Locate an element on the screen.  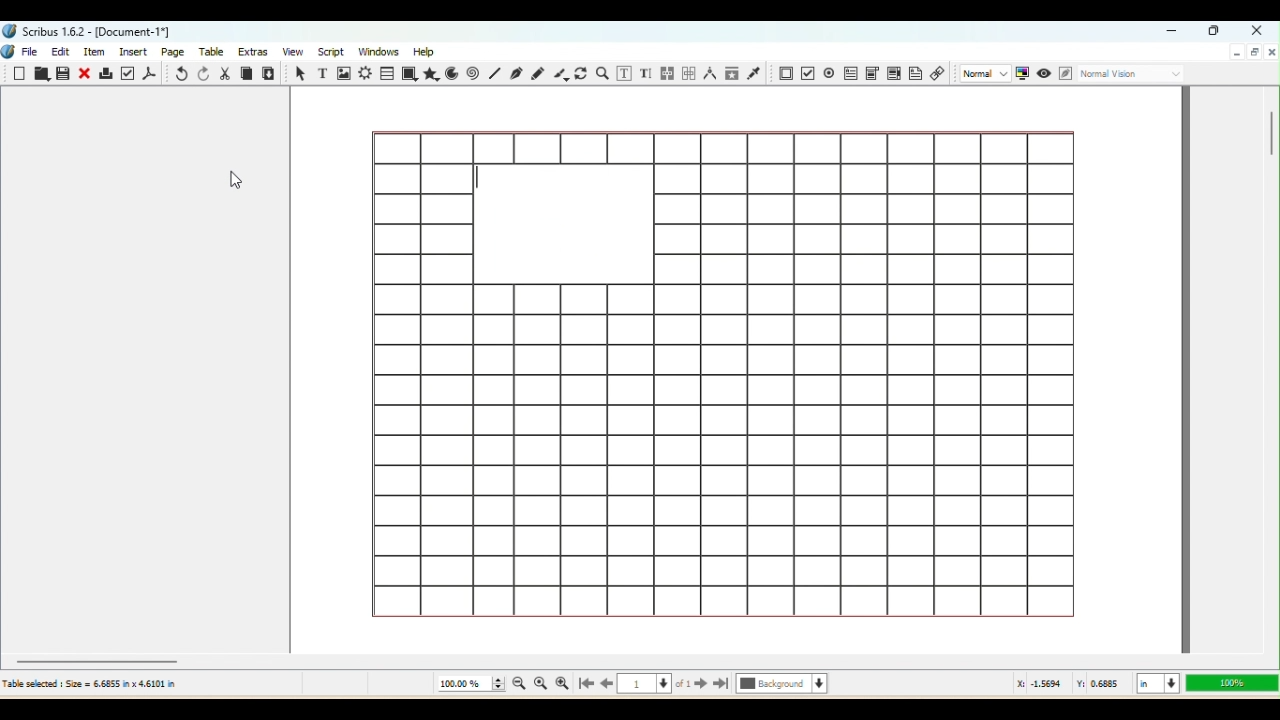
Select the current layer is located at coordinates (782, 685).